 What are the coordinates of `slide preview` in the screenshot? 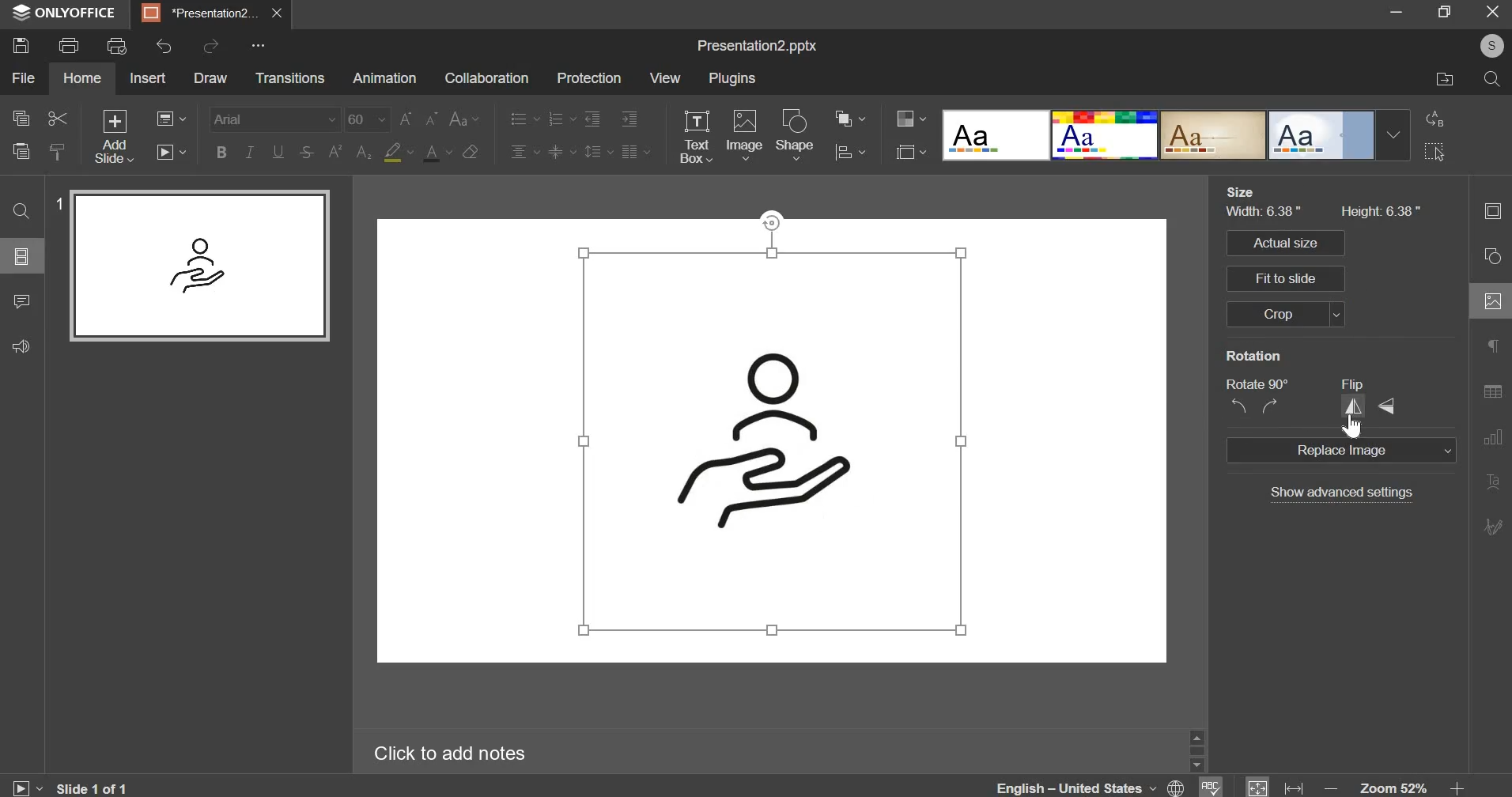 It's located at (197, 265).